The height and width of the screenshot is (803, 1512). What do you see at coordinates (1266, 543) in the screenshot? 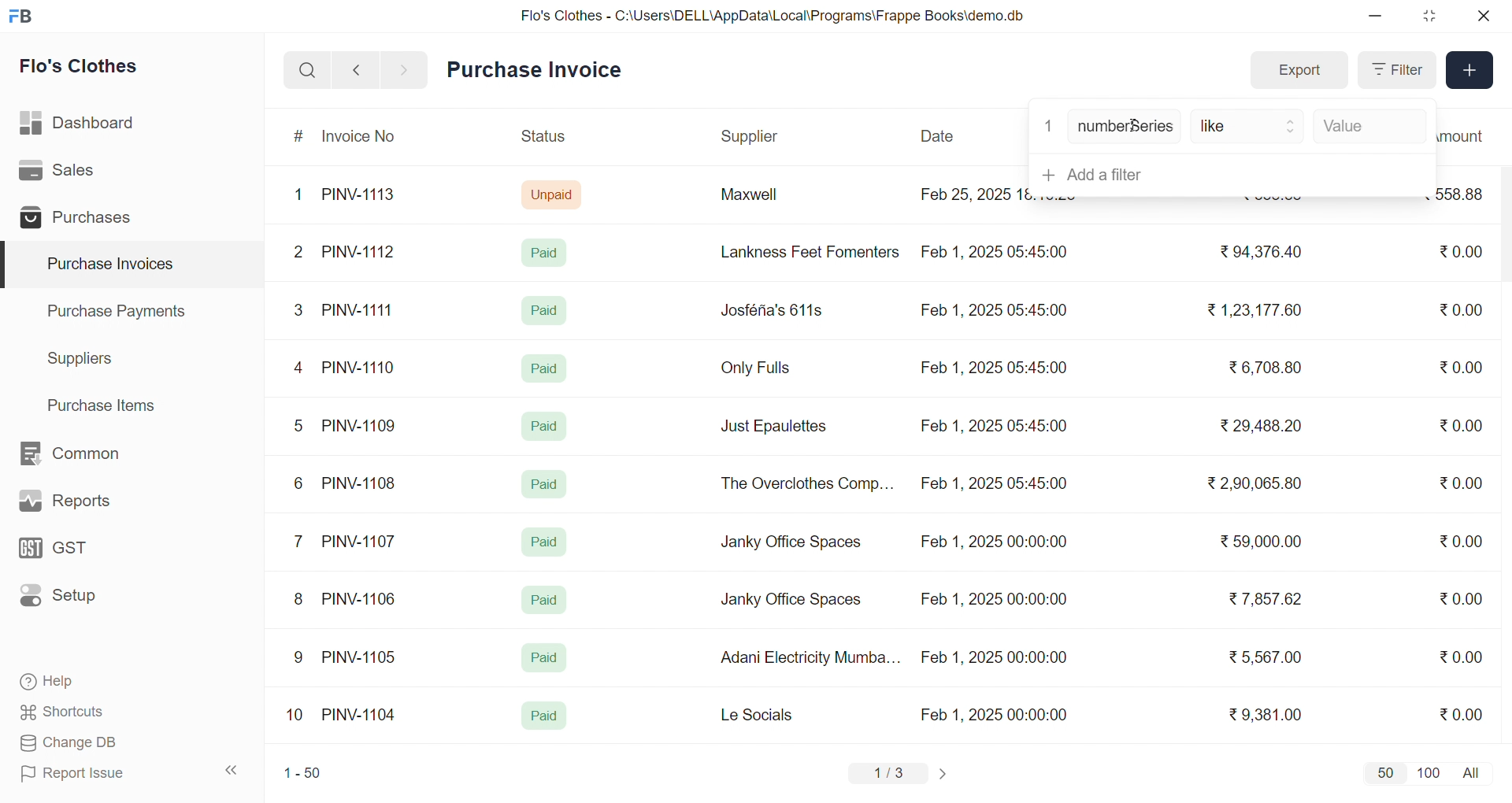
I see `₹ 59,000.00` at bounding box center [1266, 543].